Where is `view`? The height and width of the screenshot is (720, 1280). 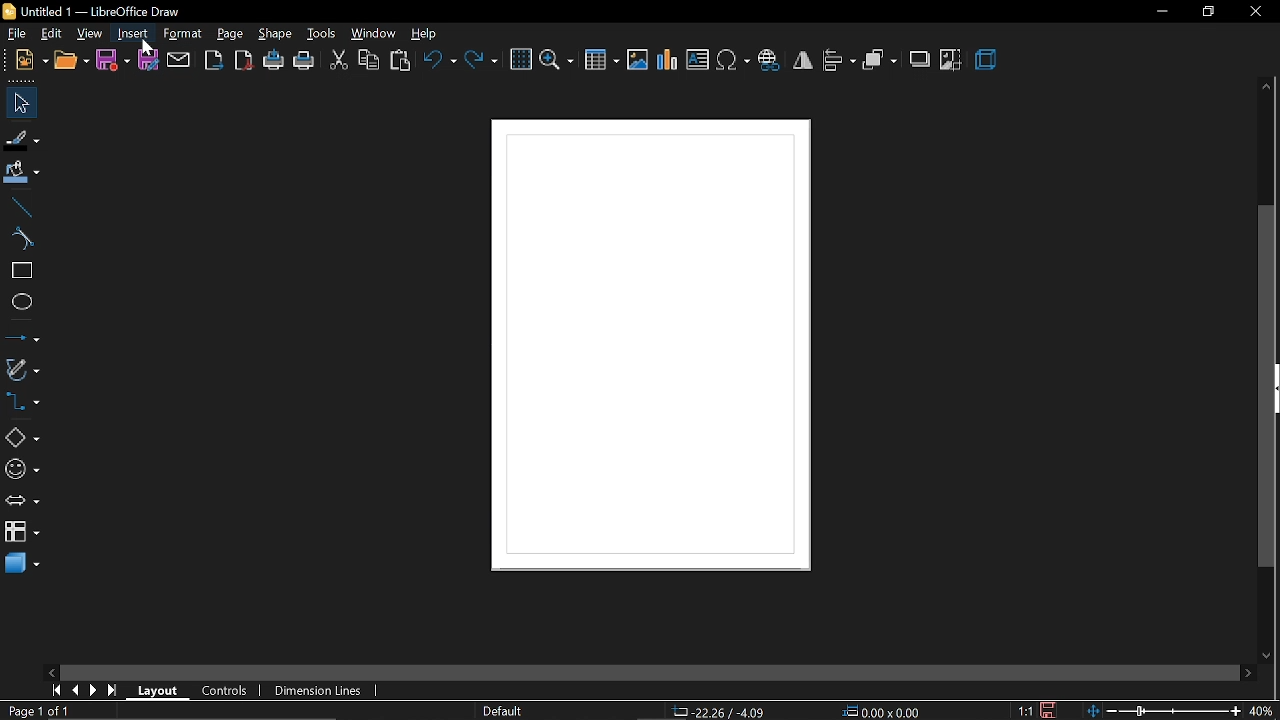 view is located at coordinates (90, 33).